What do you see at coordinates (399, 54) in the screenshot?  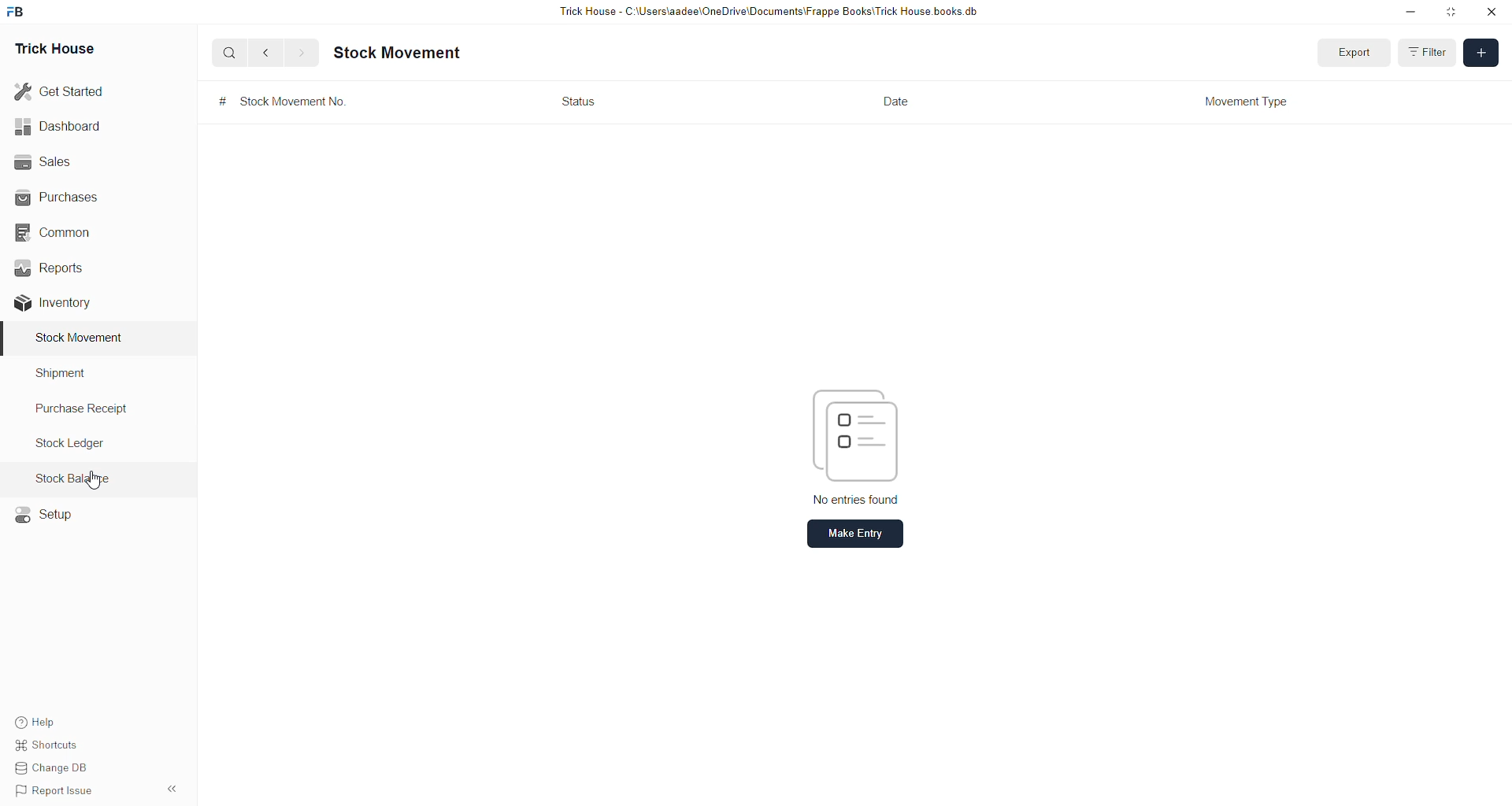 I see `Stock Movement` at bounding box center [399, 54].